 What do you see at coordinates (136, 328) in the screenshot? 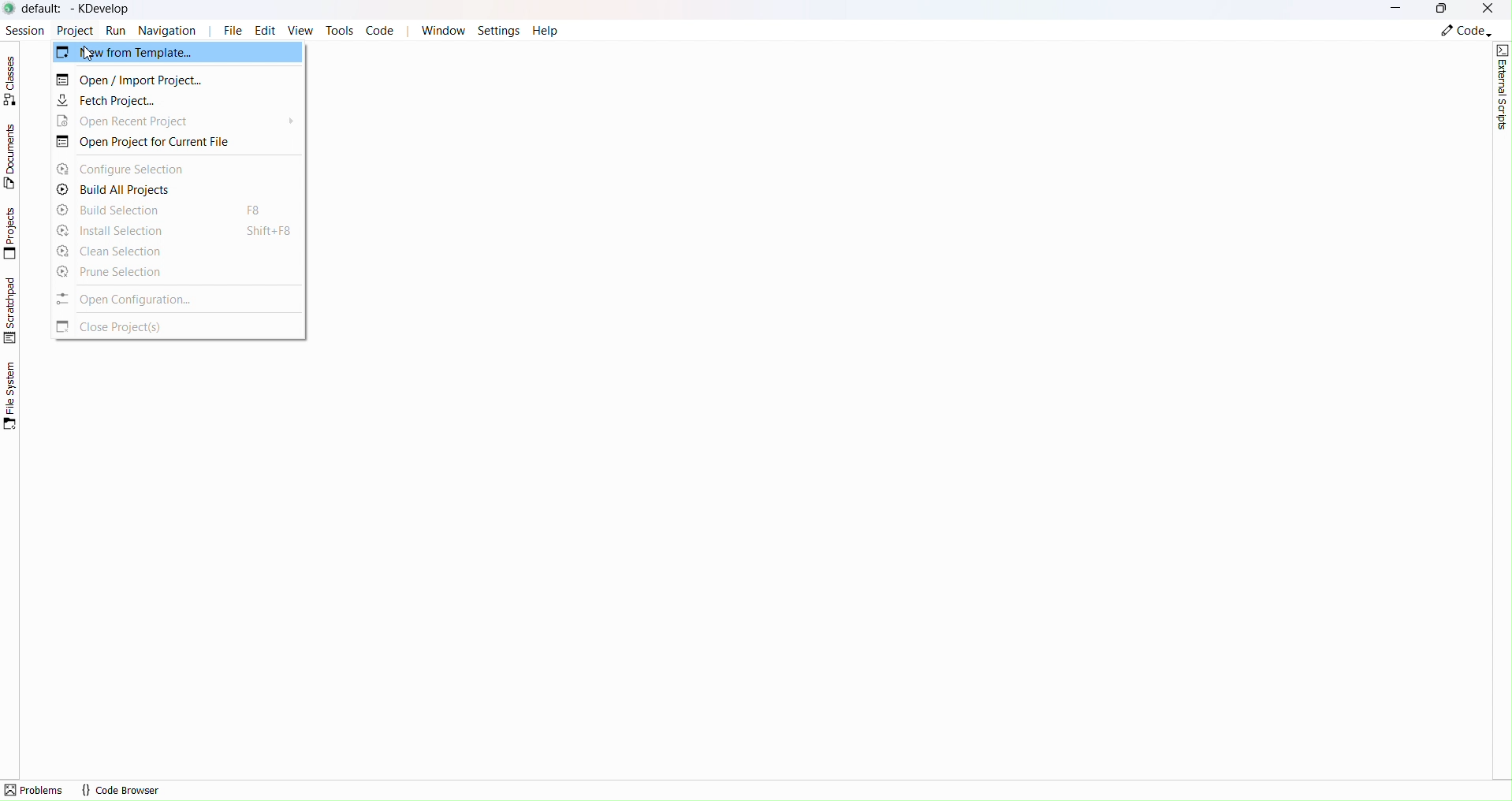
I see `Close projects` at bounding box center [136, 328].